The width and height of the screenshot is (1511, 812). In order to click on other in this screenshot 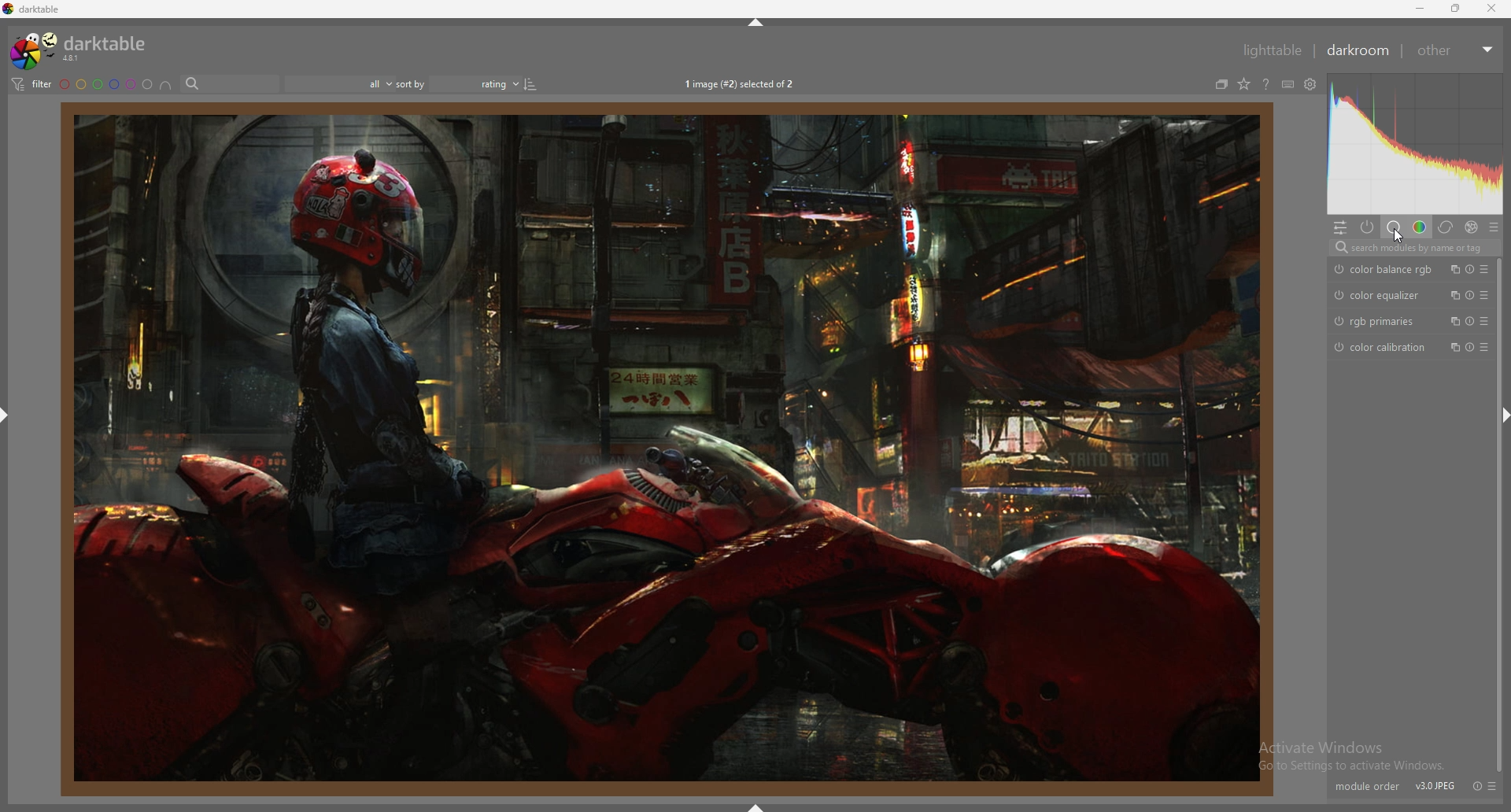, I will do `click(1456, 50)`.